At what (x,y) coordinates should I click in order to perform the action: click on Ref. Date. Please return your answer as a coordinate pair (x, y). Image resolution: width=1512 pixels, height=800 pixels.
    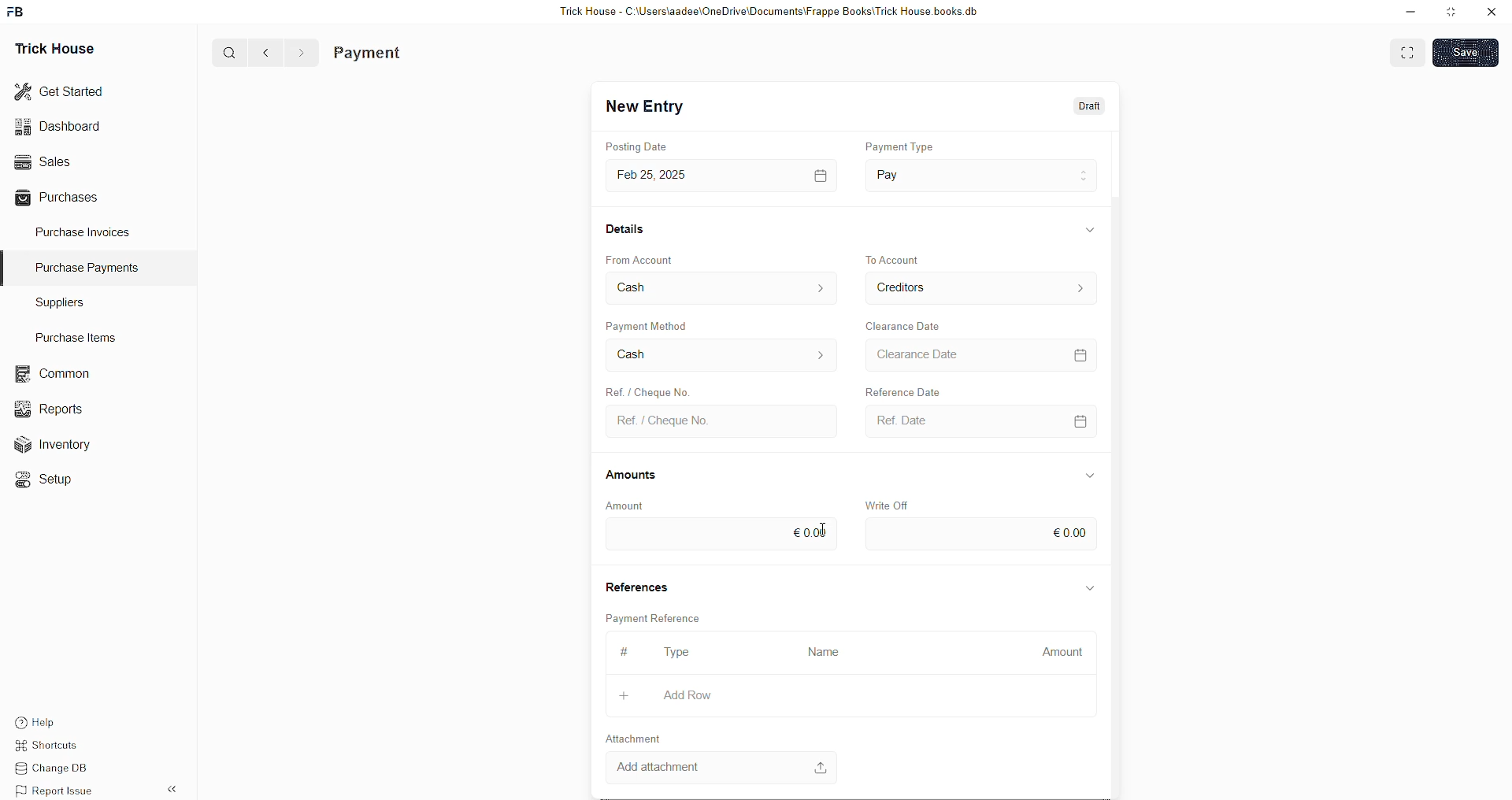
    Looking at the image, I should click on (897, 422).